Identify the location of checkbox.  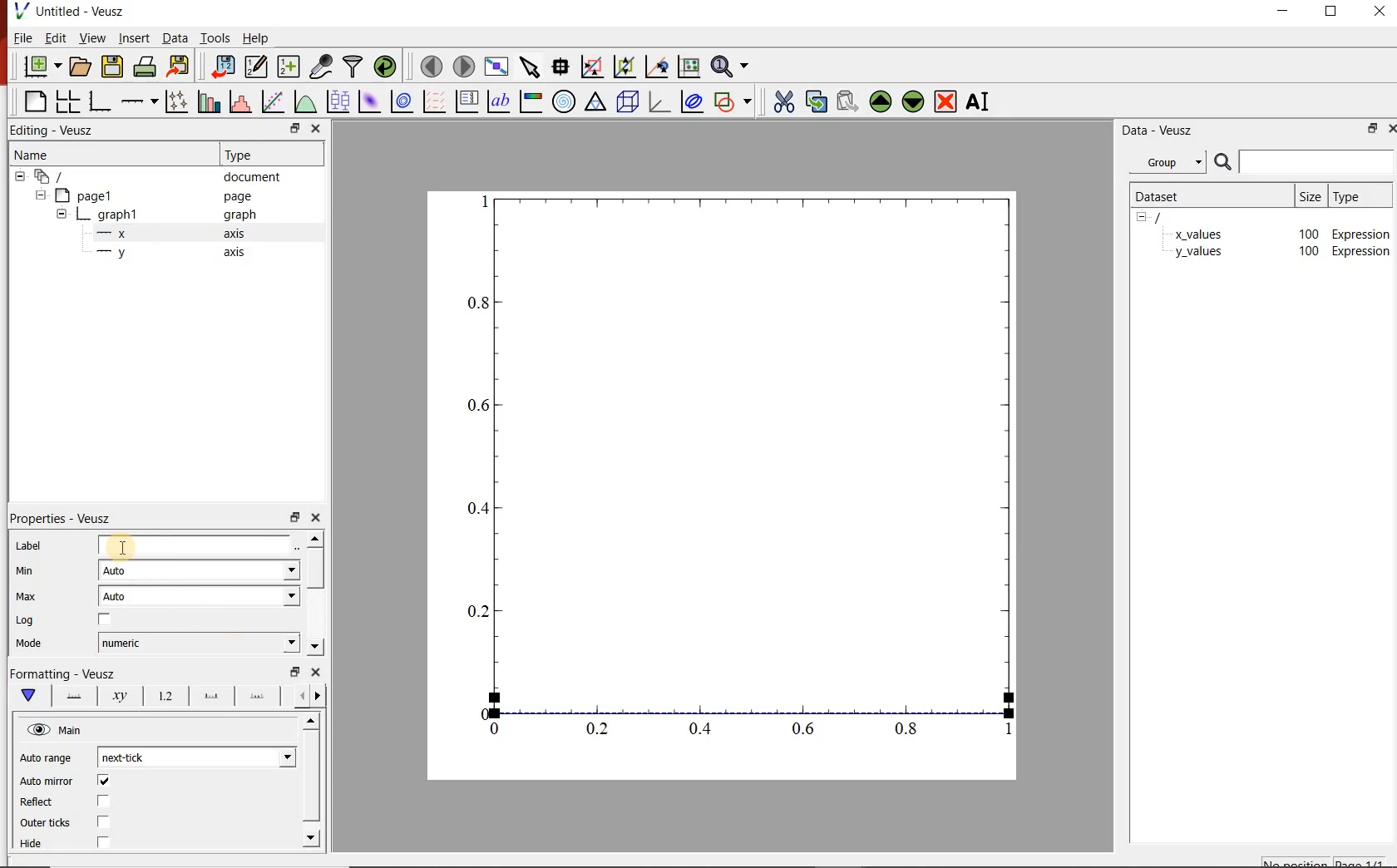
(105, 821).